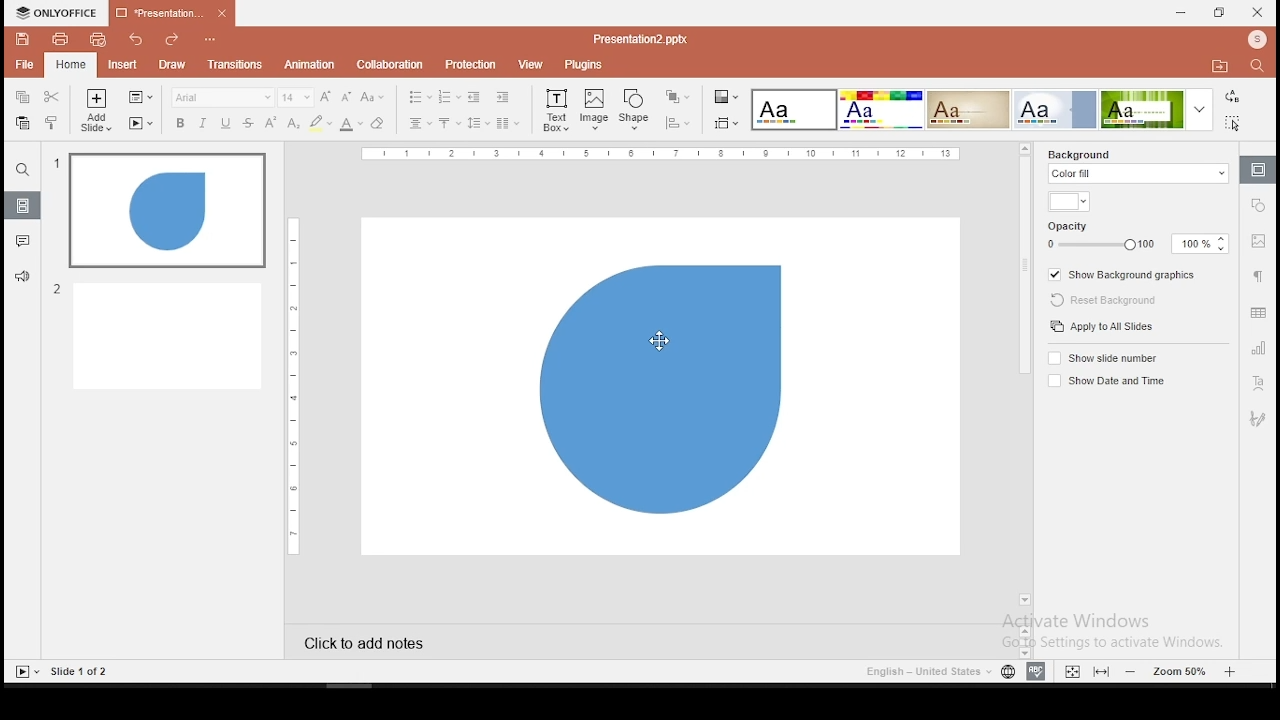 The width and height of the screenshot is (1280, 720). Describe the element at coordinates (96, 40) in the screenshot. I see `quick print` at that location.